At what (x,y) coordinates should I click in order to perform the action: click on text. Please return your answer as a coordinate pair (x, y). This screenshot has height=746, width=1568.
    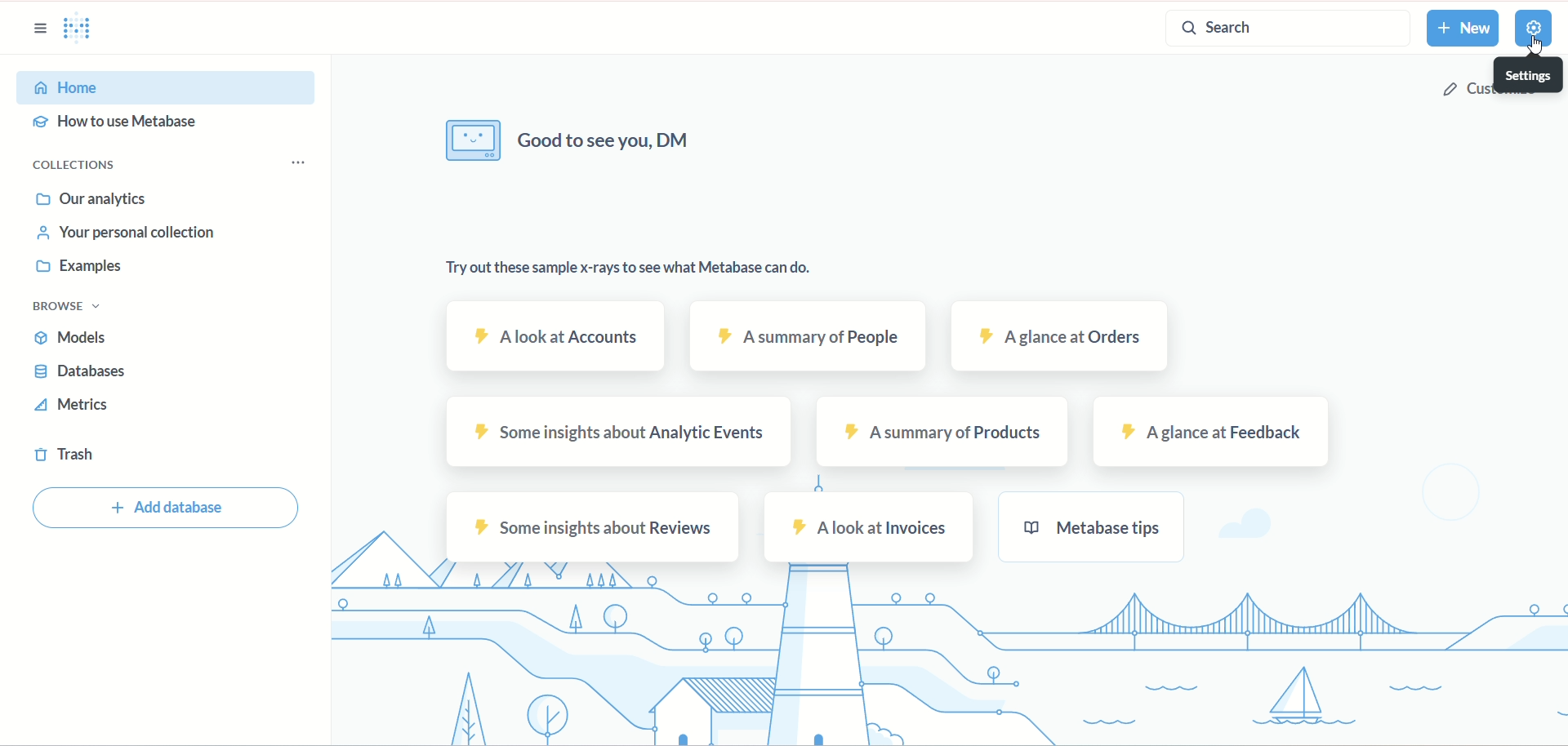
    Looking at the image, I should click on (655, 270).